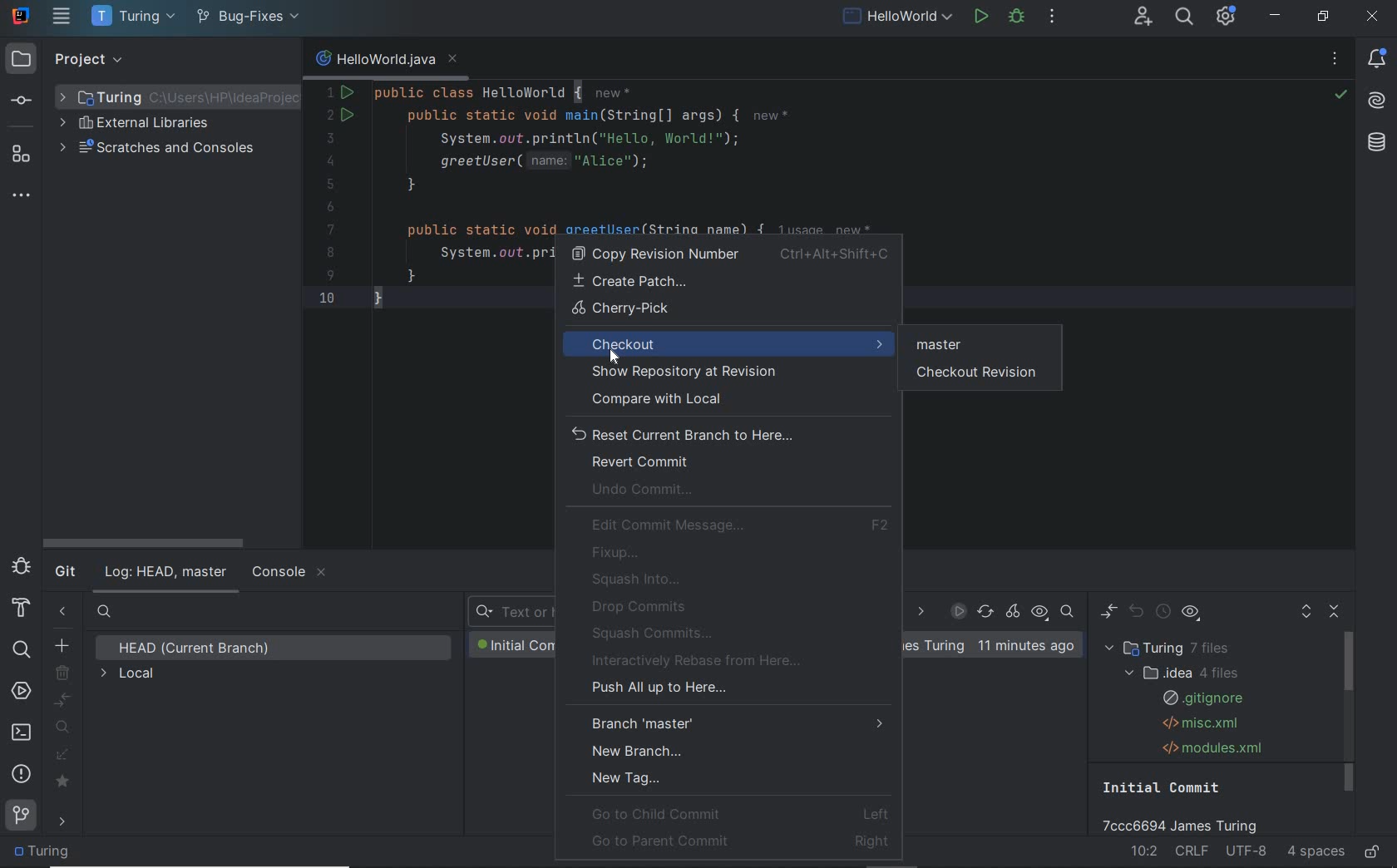 The image size is (1397, 868). I want to click on close, so click(1372, 17).